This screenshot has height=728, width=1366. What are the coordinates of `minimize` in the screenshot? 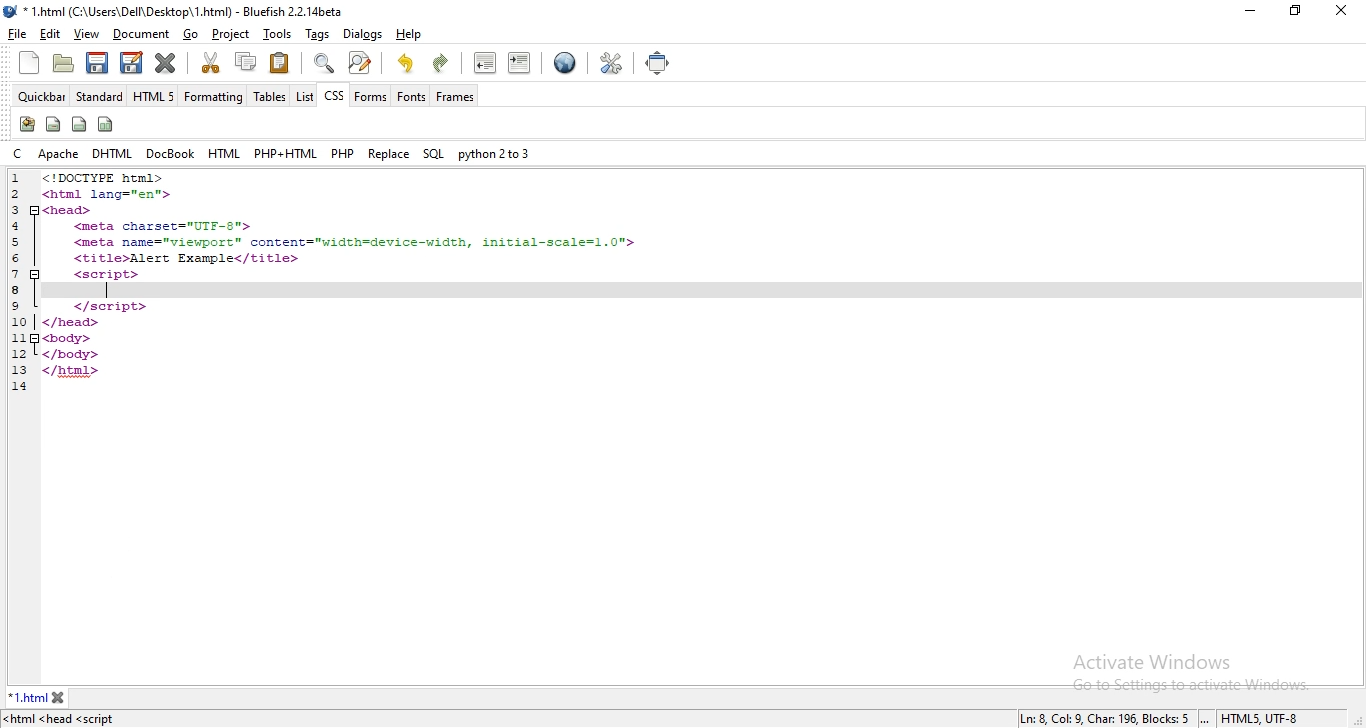 It's located at (1249, 11).